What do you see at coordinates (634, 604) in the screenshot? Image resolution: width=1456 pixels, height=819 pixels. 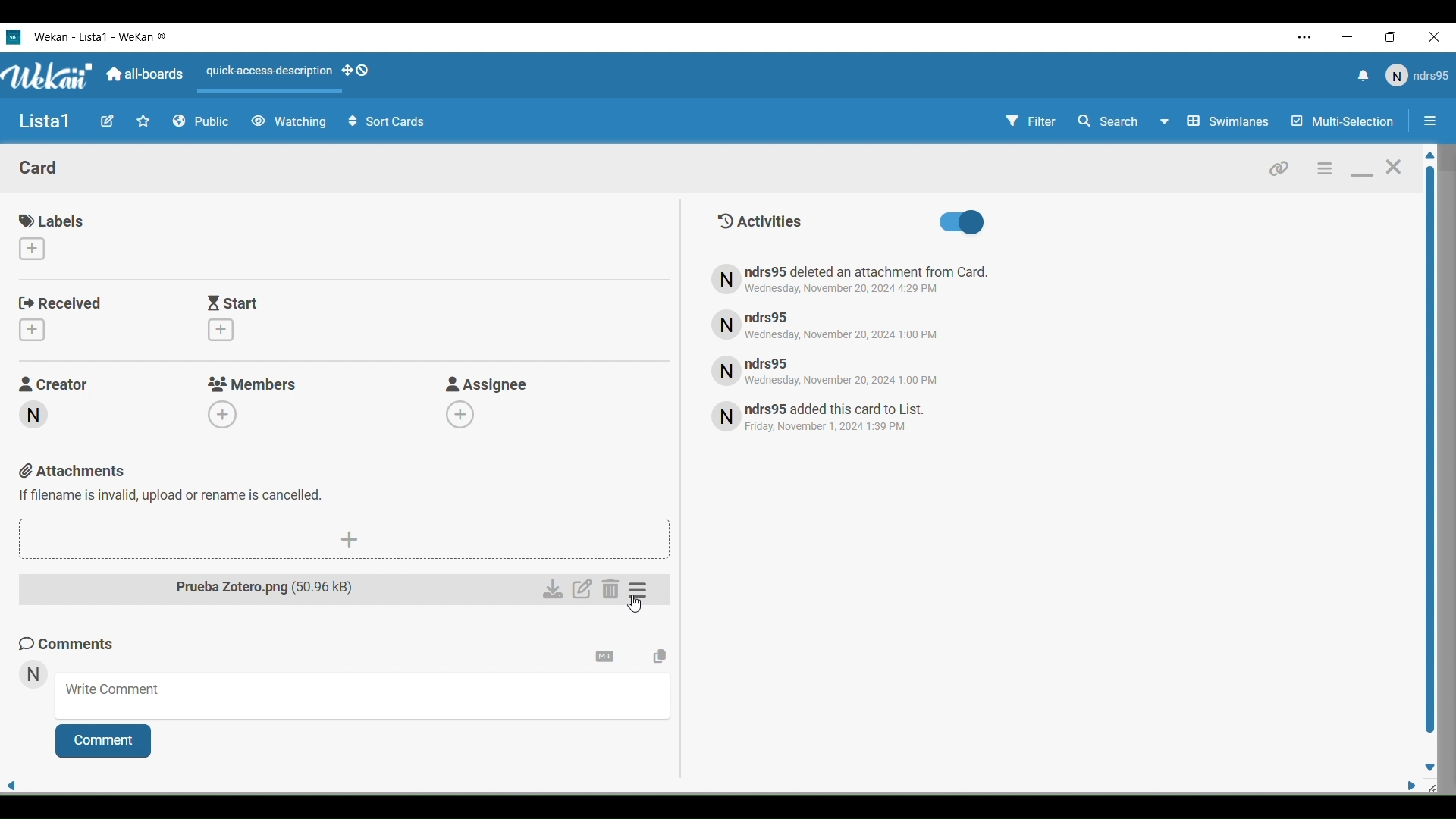 I see `Cursor` at bounding box center [634, 604].